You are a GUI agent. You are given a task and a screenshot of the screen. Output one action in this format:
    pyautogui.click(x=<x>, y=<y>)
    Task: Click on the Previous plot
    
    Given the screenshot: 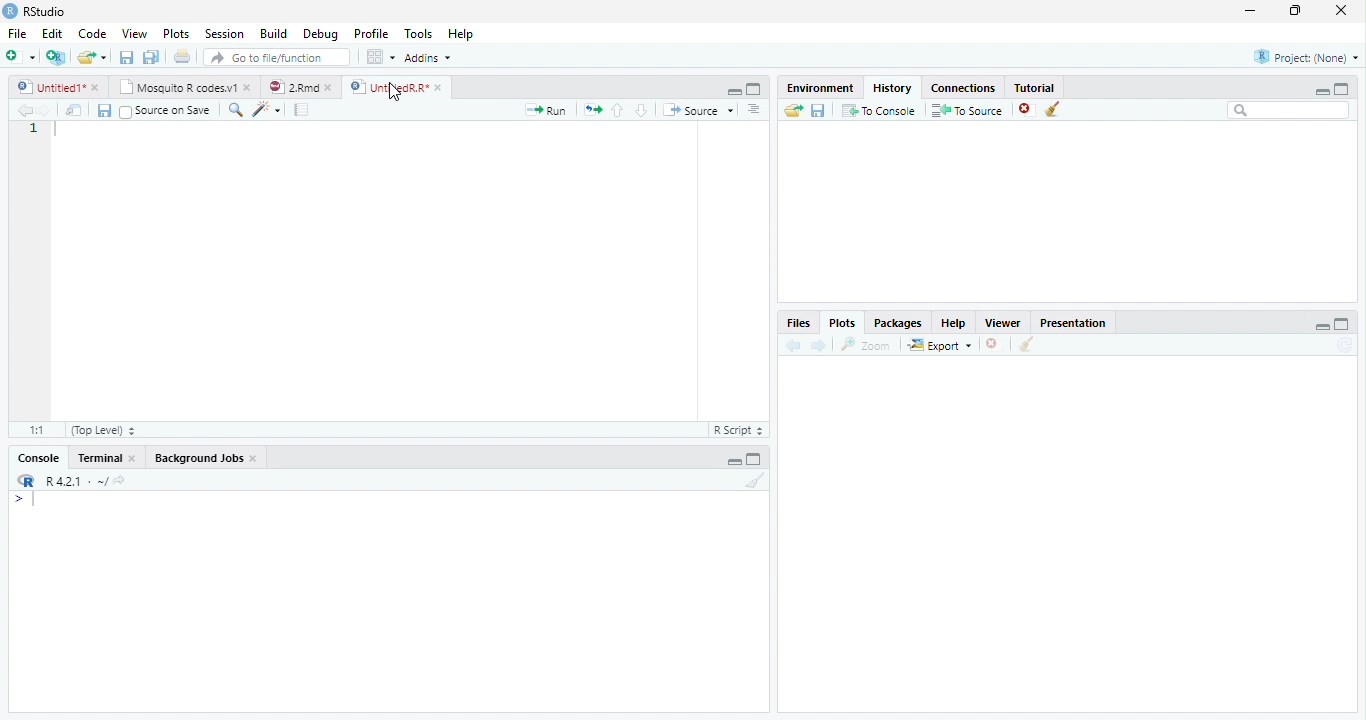 What is the action you would take?
    pyautogui.click(x=793, y=345)
    